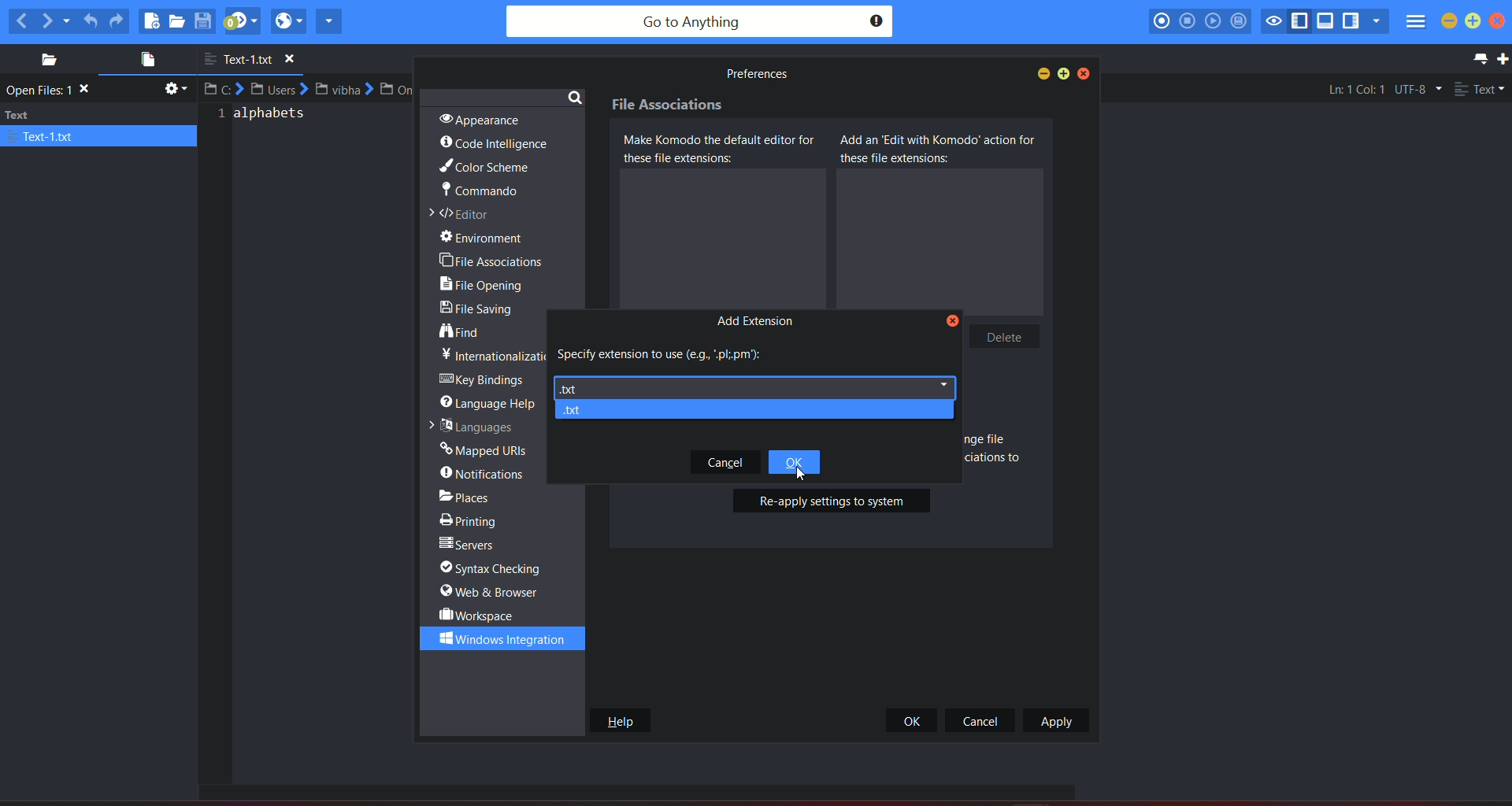 This screenshot has width=1512, height=806. Describe the element at coordinates (329, 20) in the screenshot. I see `share current file` at that location.